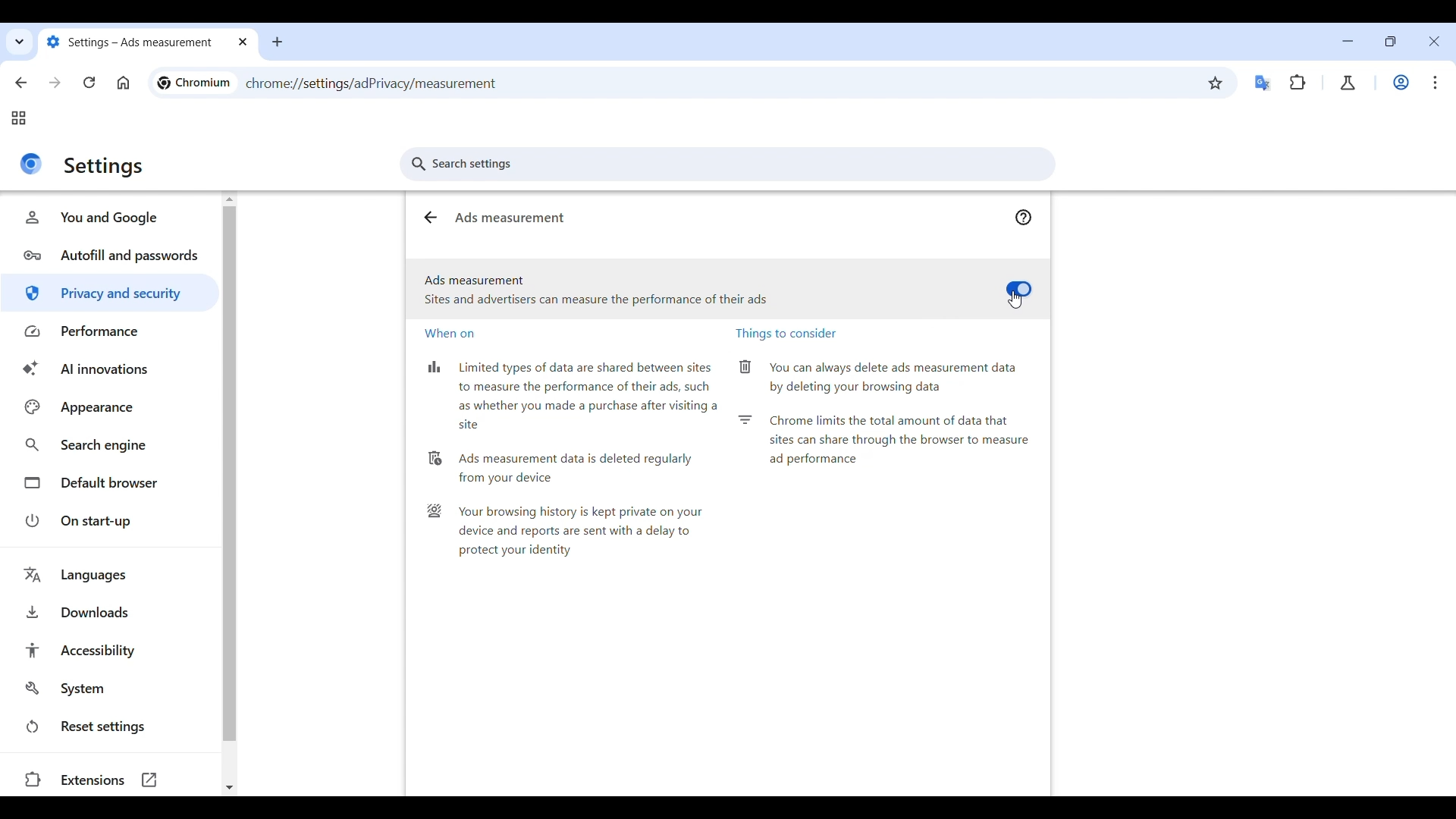 The height and width of the screenshot is (819, 1456). I want to click on Title of current page, so click(103, 168).